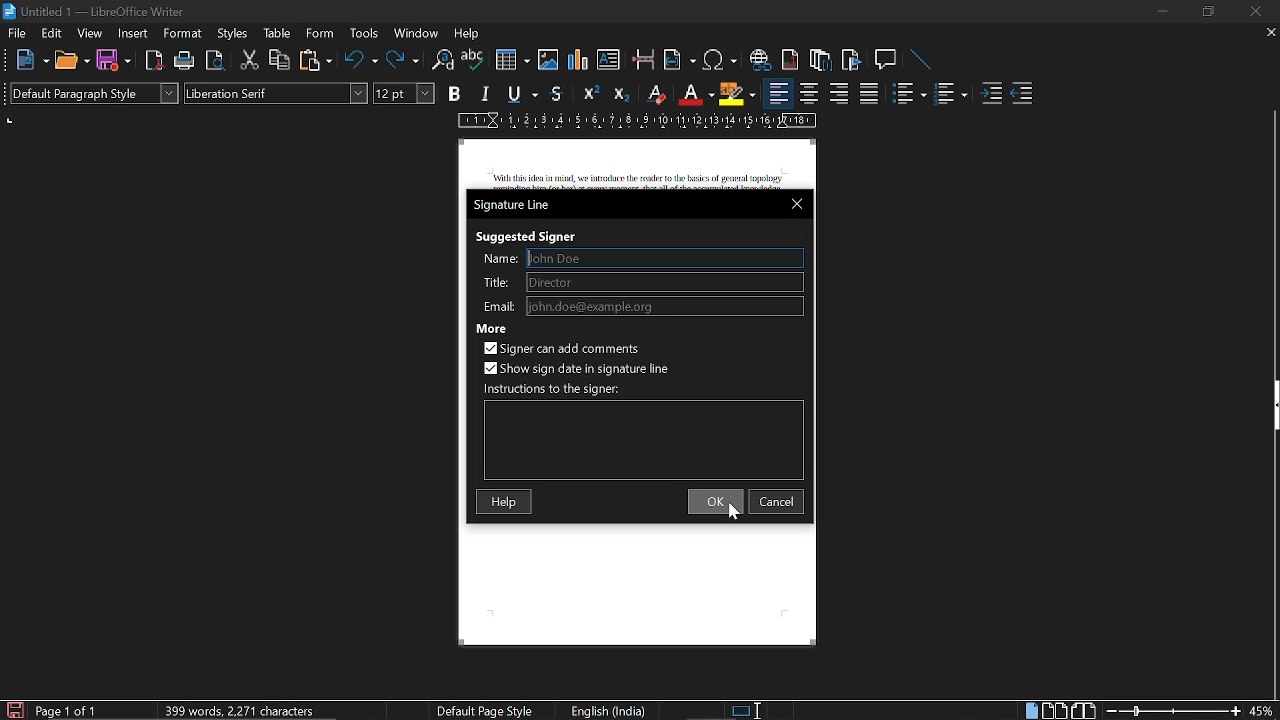 Image resolution: width=1280 pixels, height=720 pixels. Describe the element at coordinates (665, 306) in the screenshot. I see `email` at that location.